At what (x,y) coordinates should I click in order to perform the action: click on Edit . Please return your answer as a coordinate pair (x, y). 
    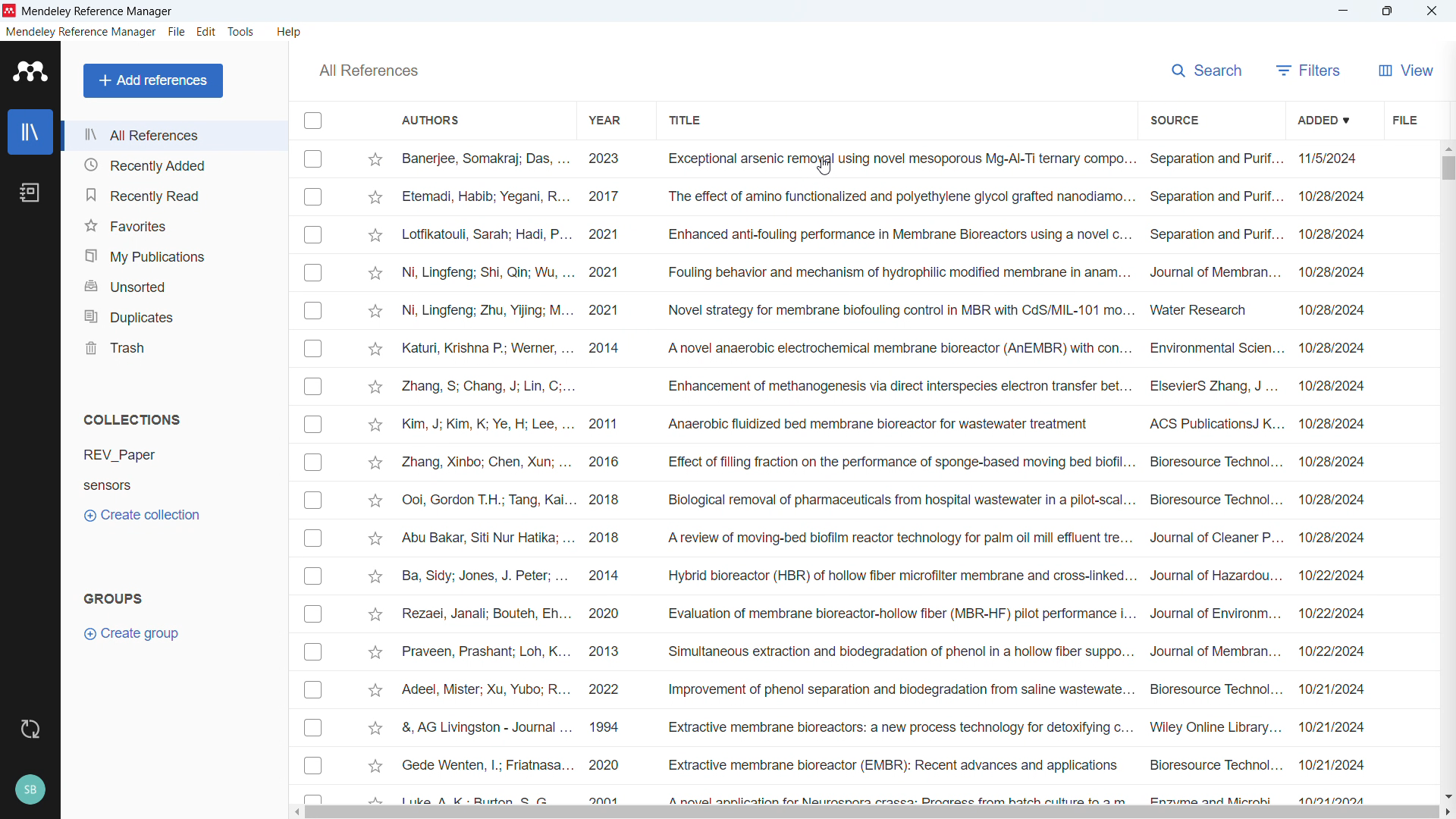
    Looking at the image, I should click on (207, 32).